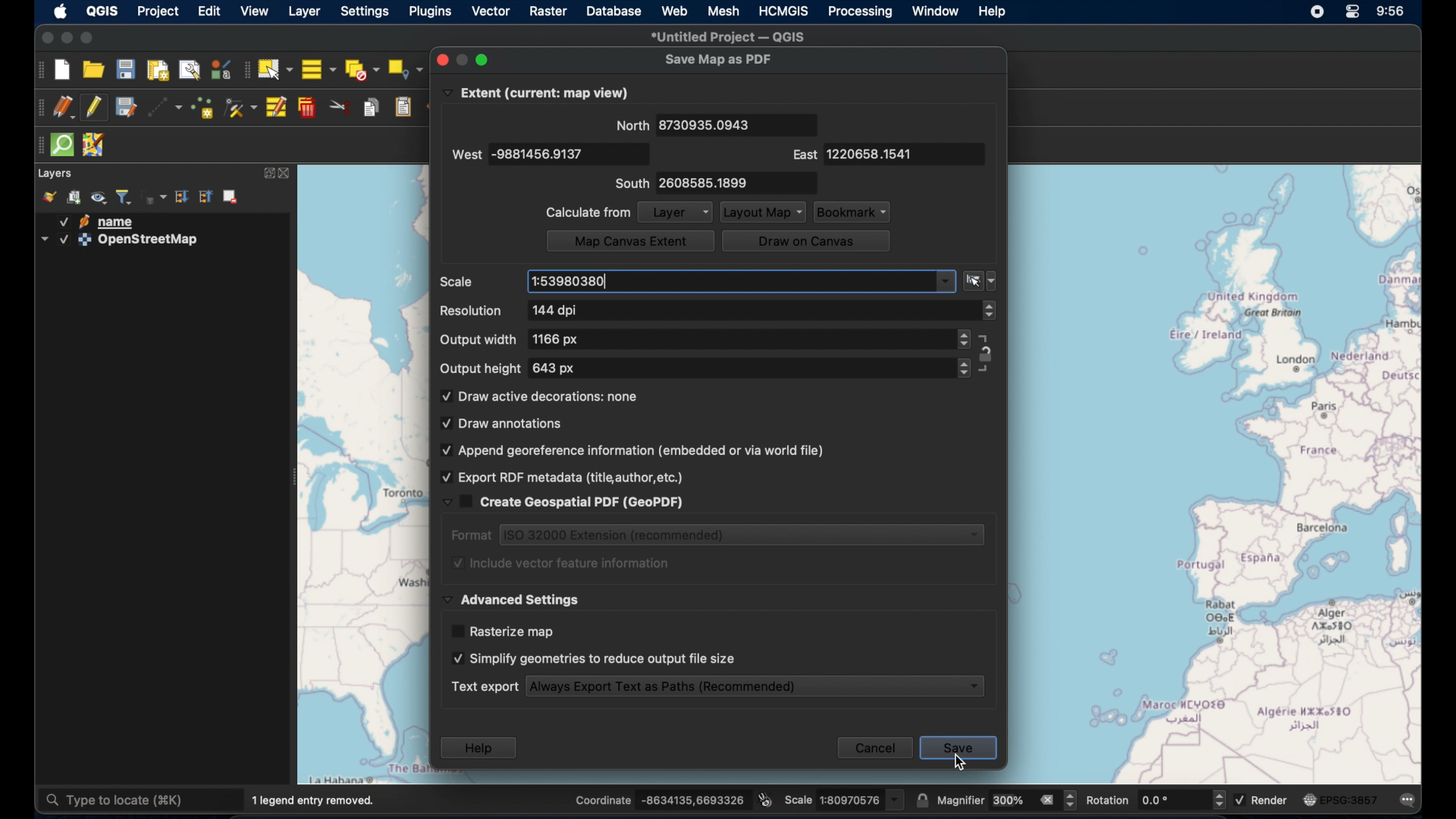 This screenshot has width=1456, height=819. Describe the element at coordinates (361, 70) in the screenshot. I see `deselect features` at that location.